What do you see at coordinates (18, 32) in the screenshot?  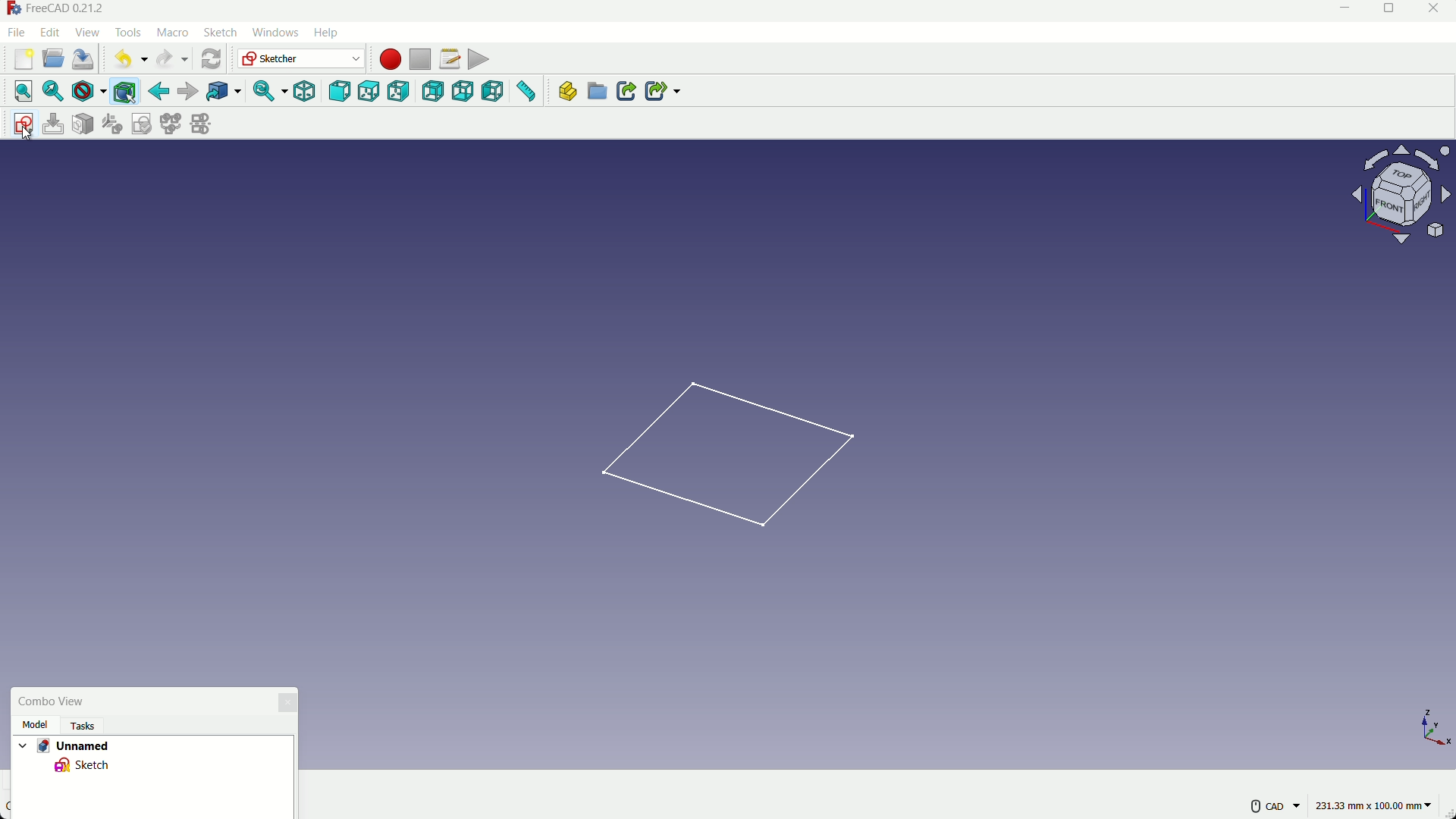 I see `file menu` at bounding box center [18, 32].